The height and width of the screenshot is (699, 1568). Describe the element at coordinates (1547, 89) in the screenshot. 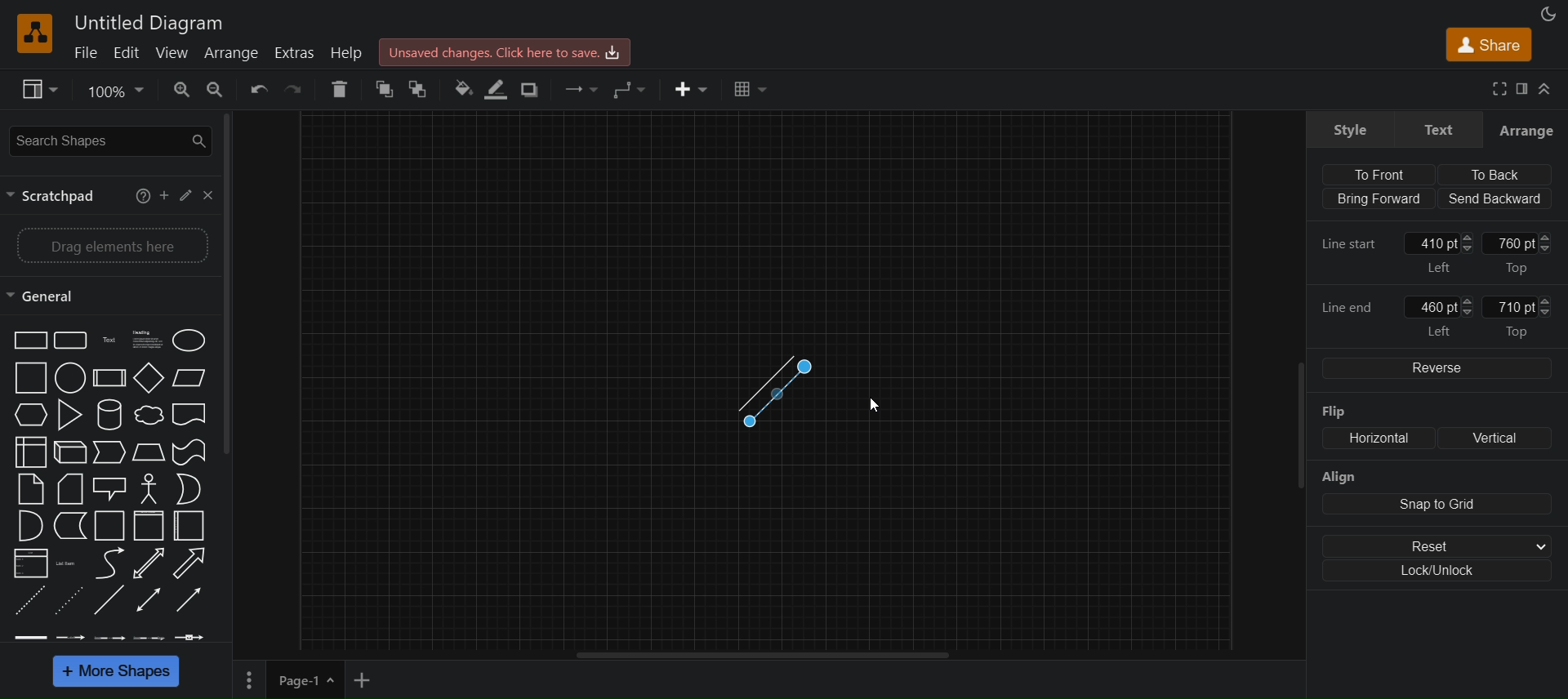

I see `collapse/expand` at that location.